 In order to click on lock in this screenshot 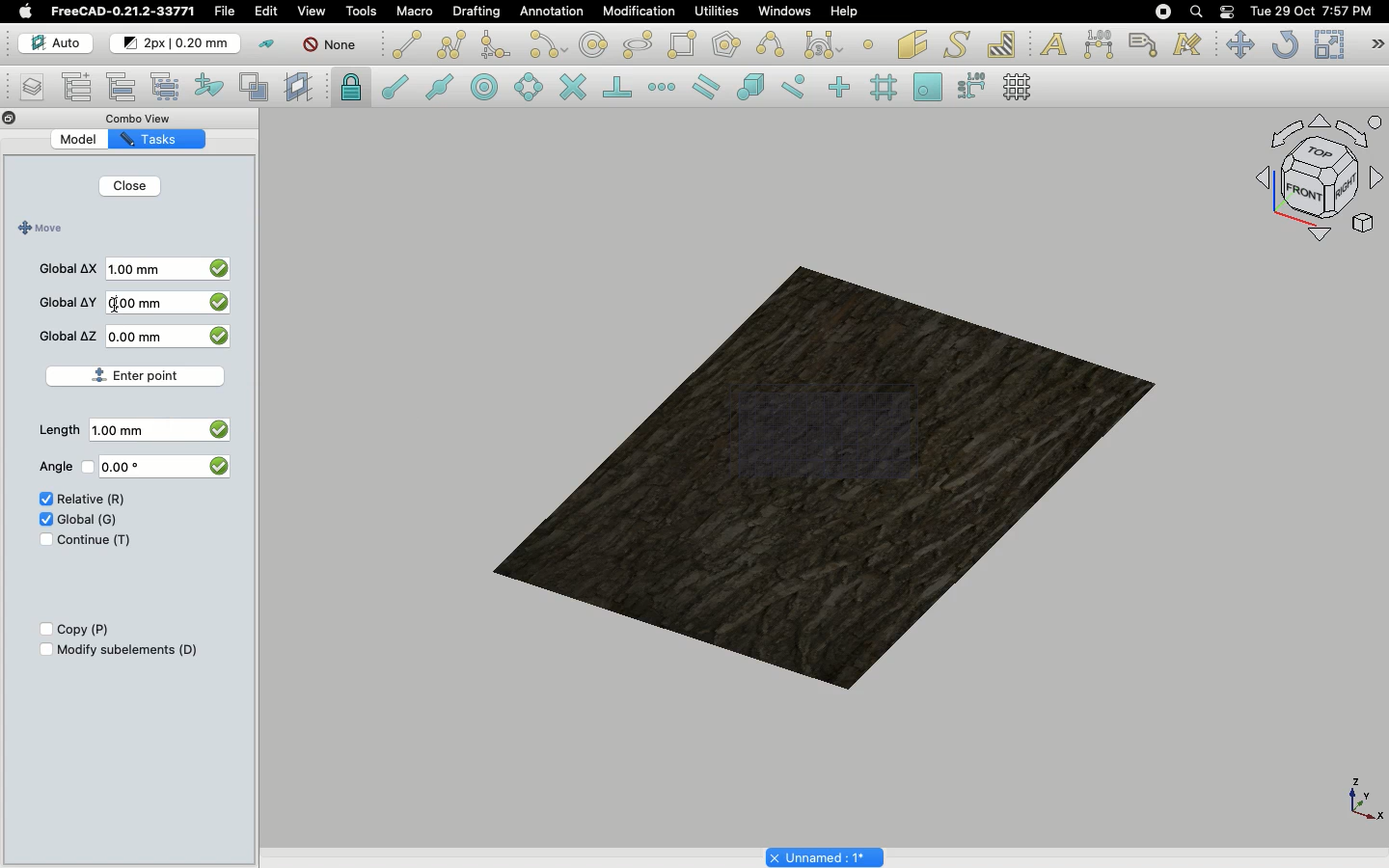, I will do `click(352, 90)`.